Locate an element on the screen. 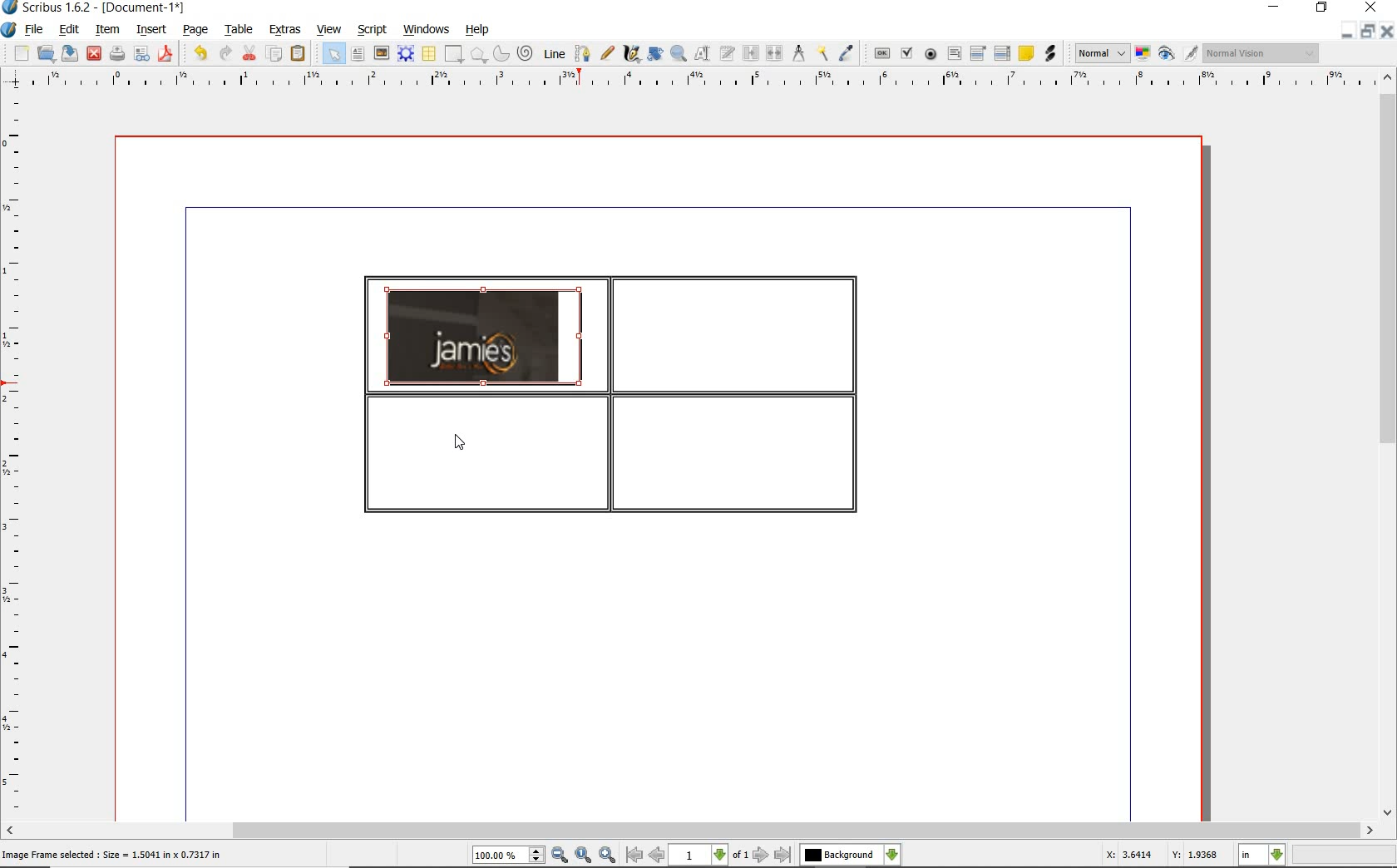 Image resolution: width=1397 pixels, height=868 pixels. print is located at coordinates (116, 53).